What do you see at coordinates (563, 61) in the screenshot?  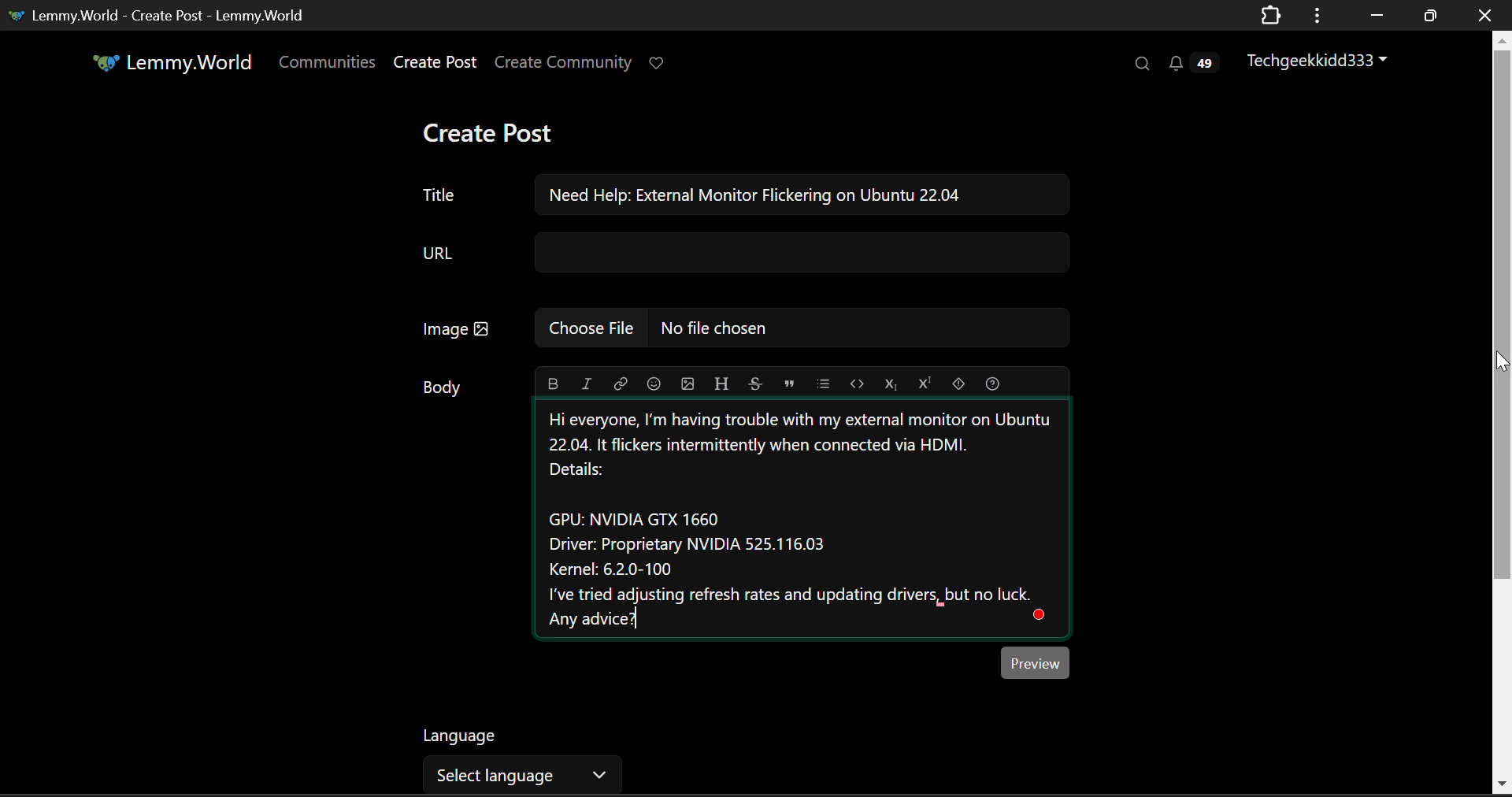 I see `Create Community Page Link` at bounding box center [563, 61].